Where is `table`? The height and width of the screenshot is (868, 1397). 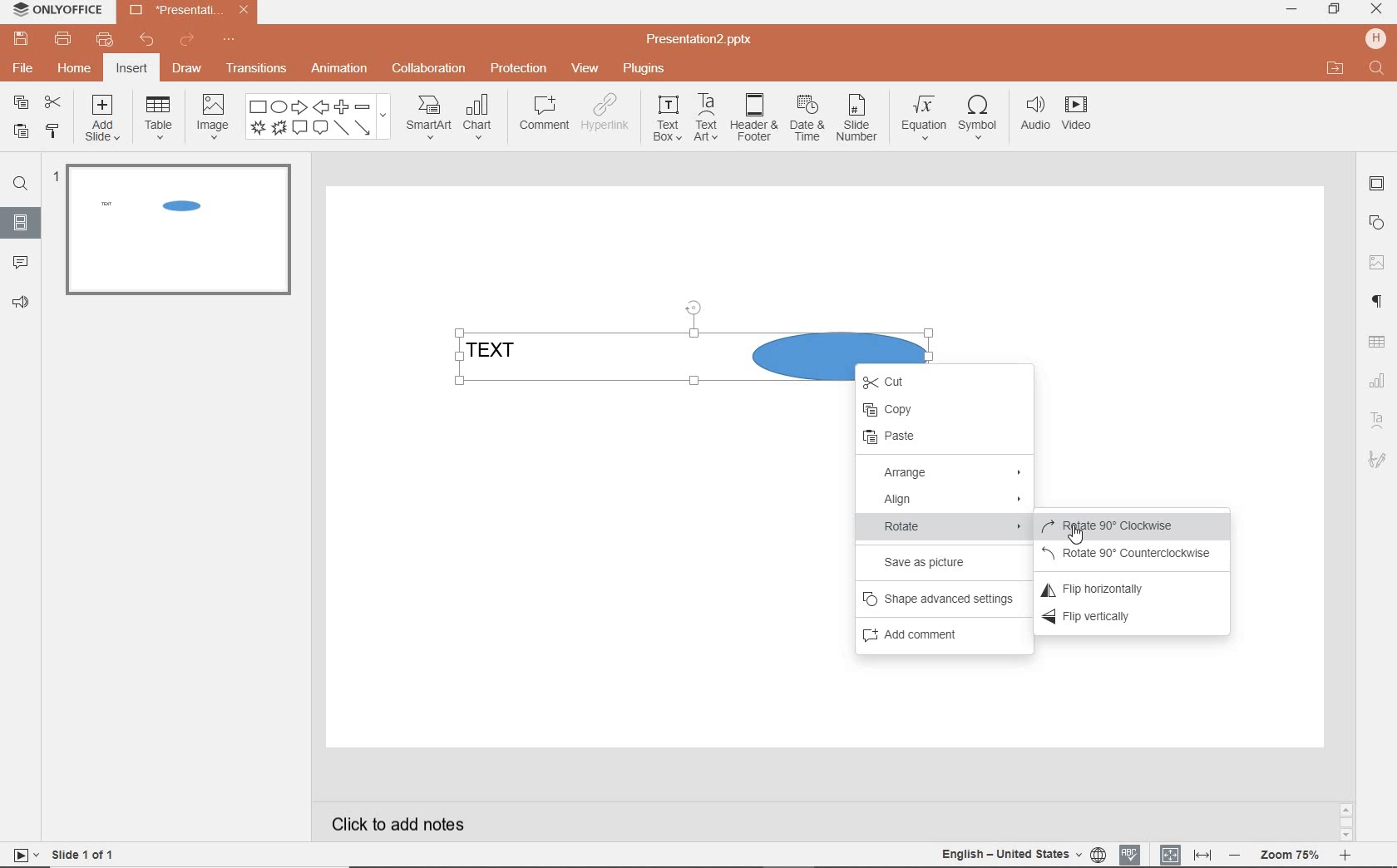 table is located at coordinates (156, 118).